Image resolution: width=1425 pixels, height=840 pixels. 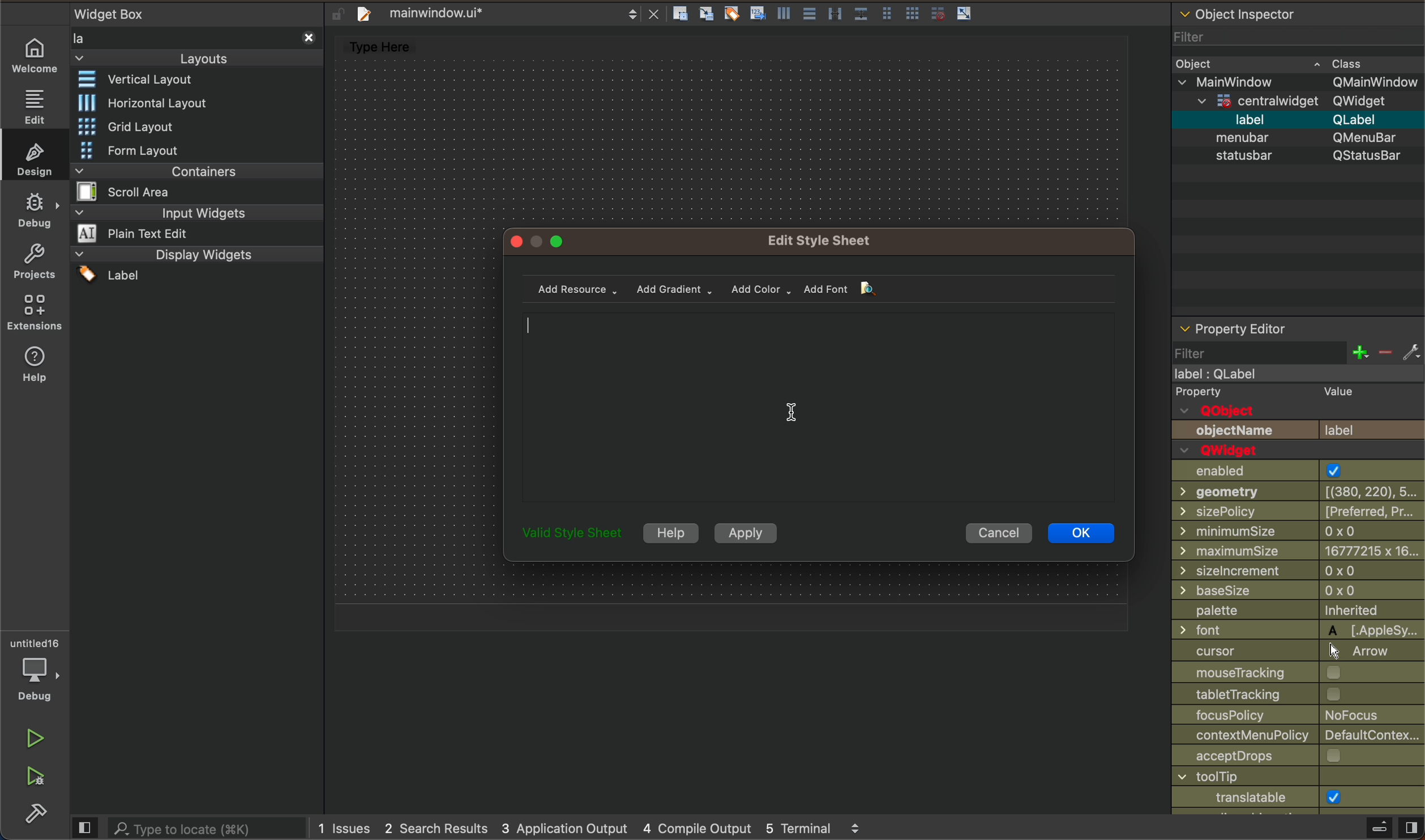 I want to click on palette, so click(x=1298, y=610).